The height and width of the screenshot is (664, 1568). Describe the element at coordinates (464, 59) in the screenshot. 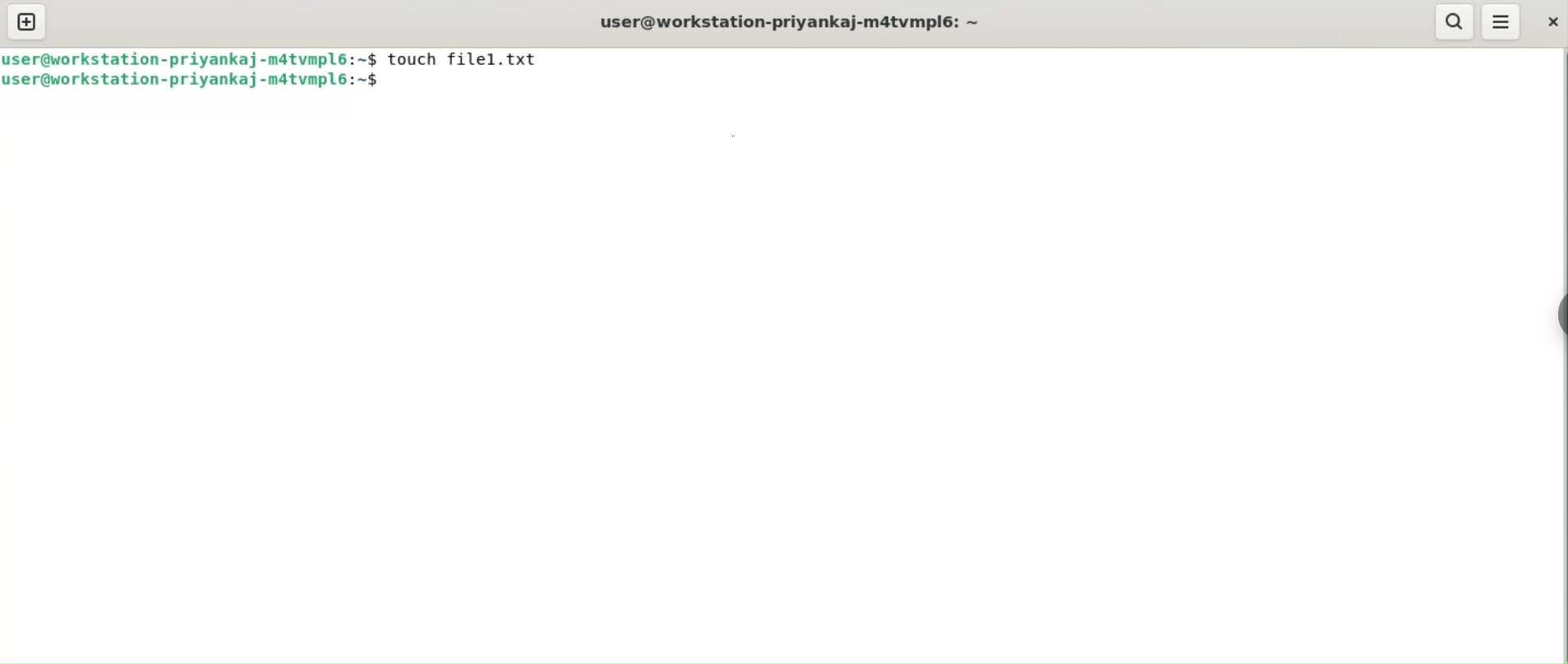

I see `touch file1.txt` at that location.